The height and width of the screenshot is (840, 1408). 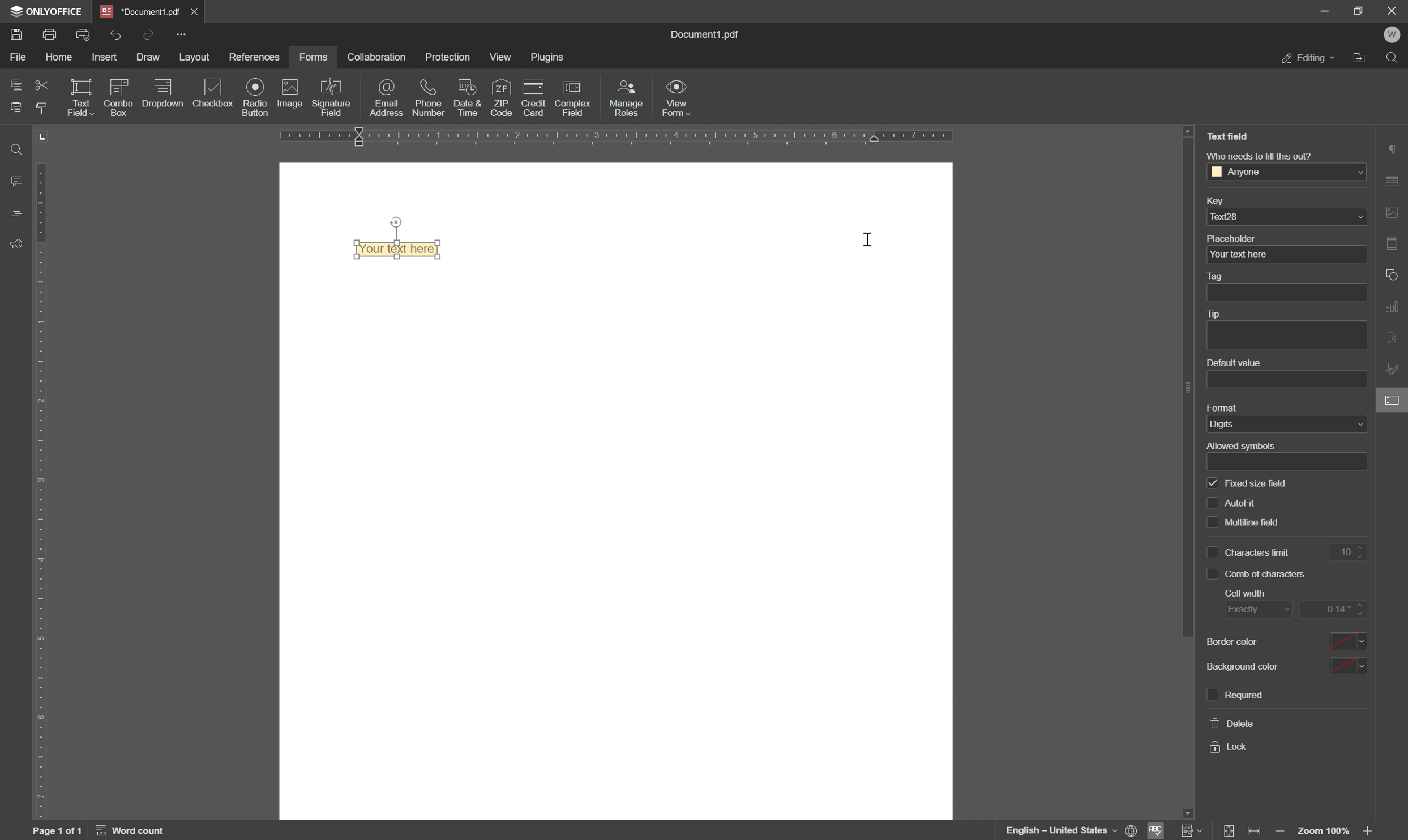 I want to click on cut, so click(x=38, y=86).